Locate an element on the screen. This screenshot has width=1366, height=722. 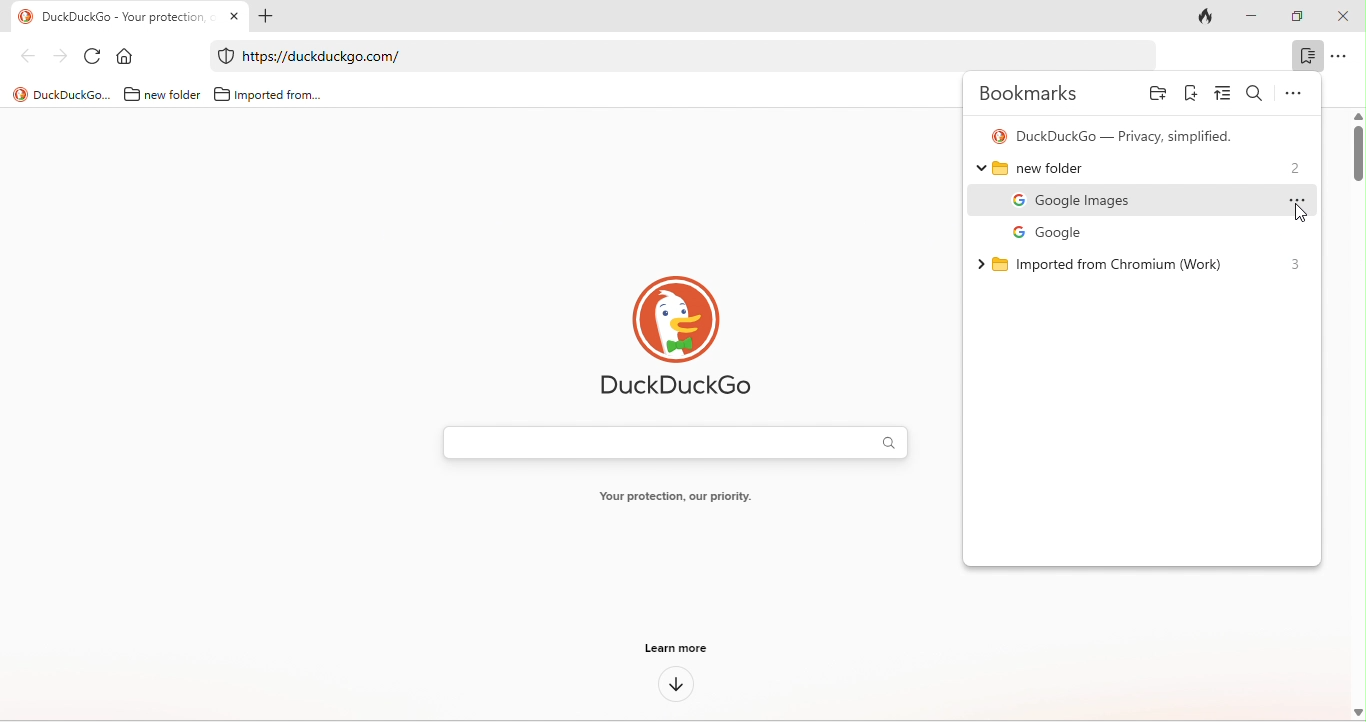
learn more is located at coordinates (677, 651).